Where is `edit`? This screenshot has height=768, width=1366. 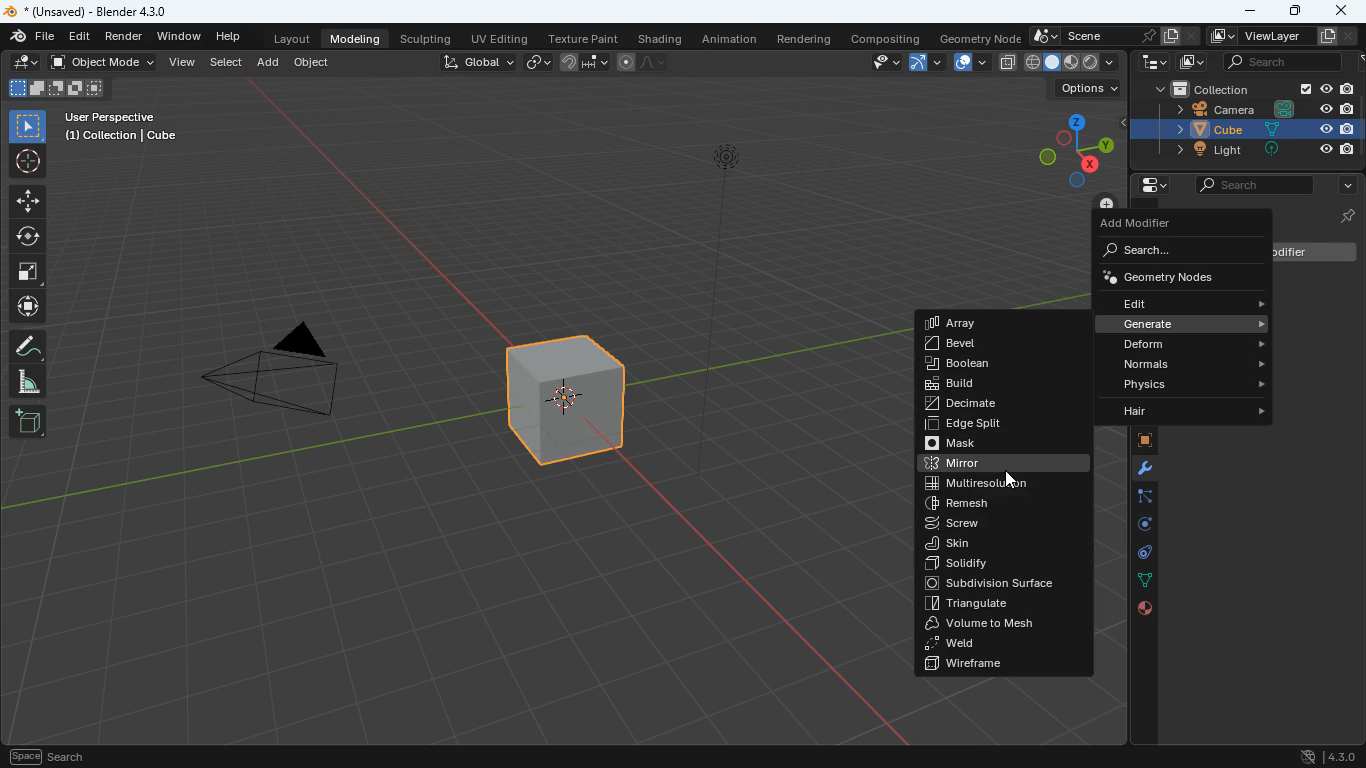
edit is located at coordinates (1190, 303).